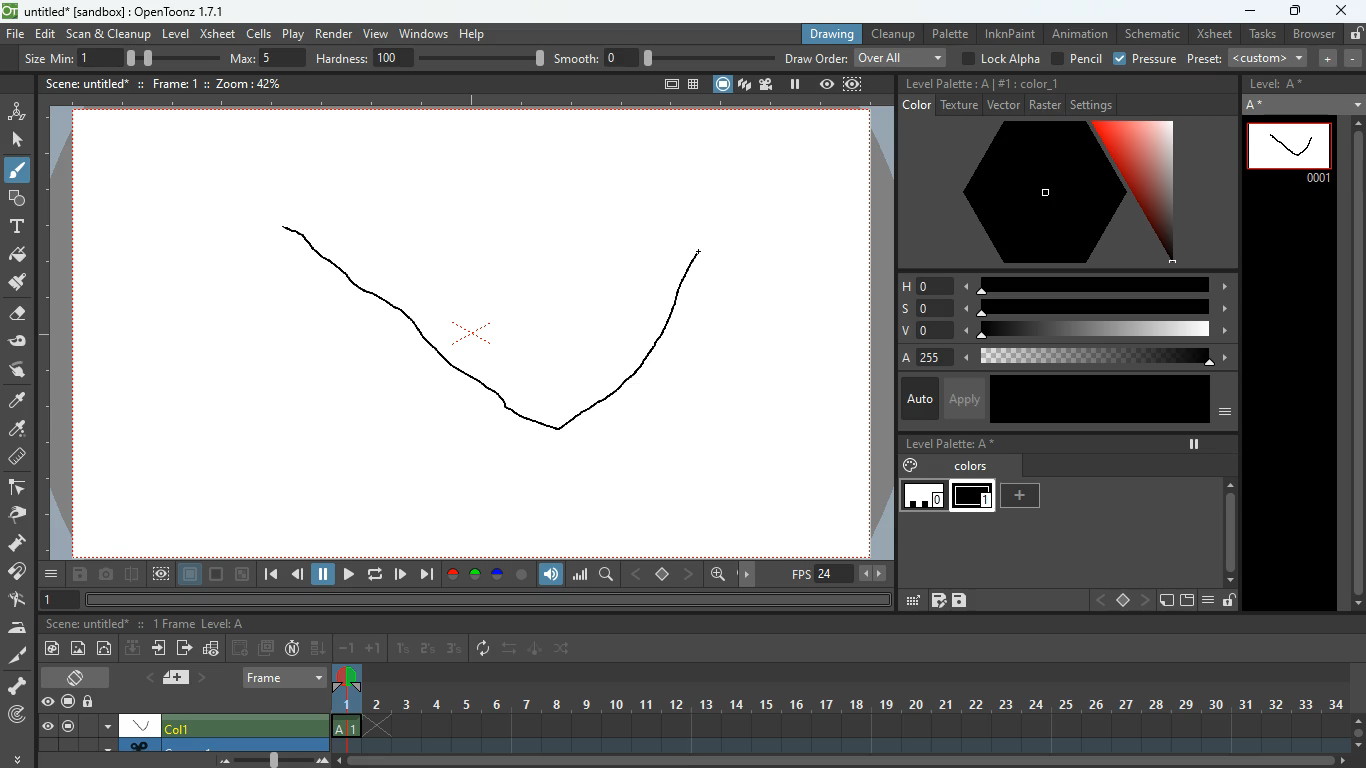 Image resolution: width=1366 pixels, height=768 pixels. I want to click on render, so click(335, 32).